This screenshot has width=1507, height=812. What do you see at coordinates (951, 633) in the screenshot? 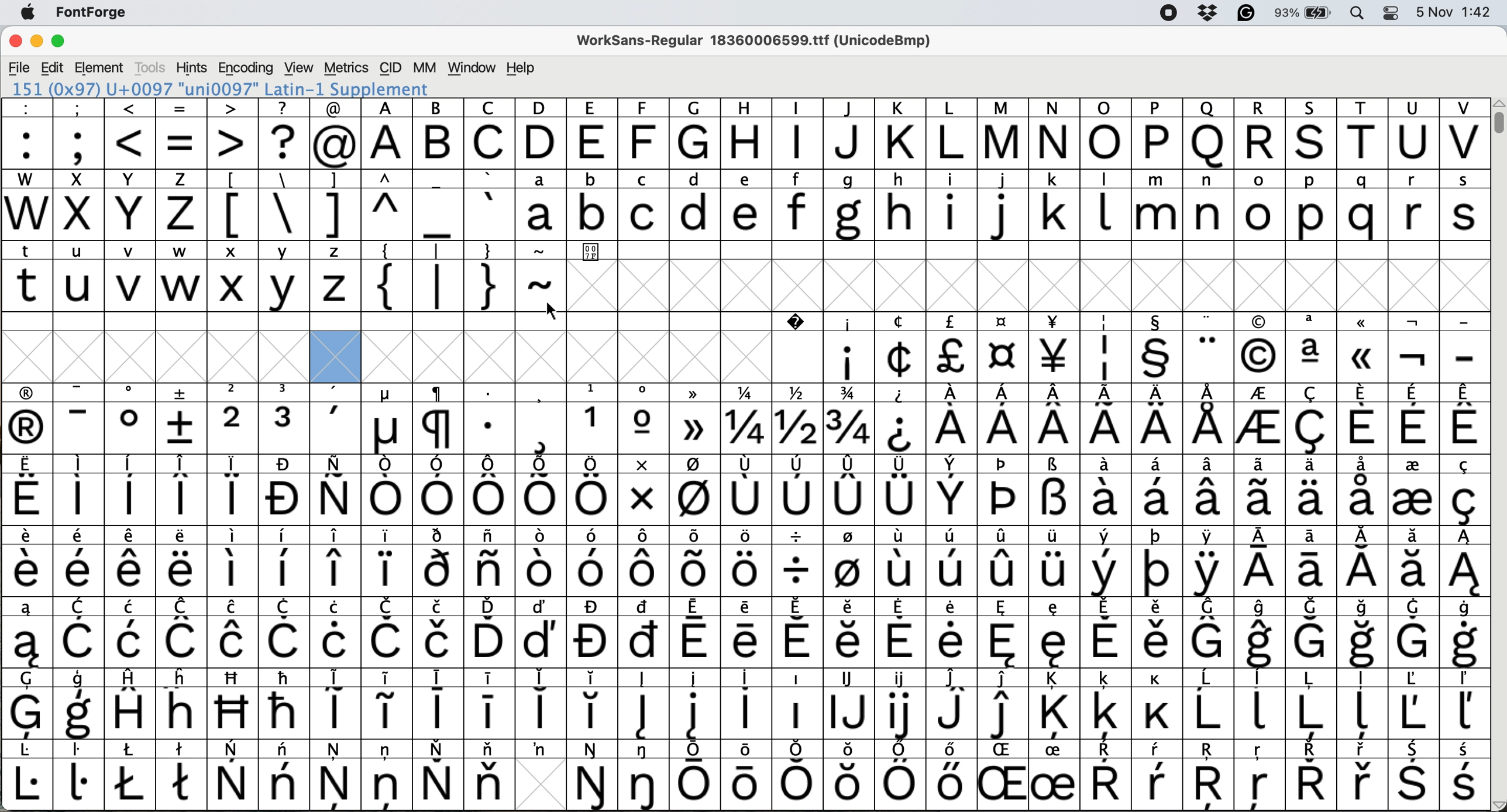
I see `symbol` at bounding box center [951, 633].